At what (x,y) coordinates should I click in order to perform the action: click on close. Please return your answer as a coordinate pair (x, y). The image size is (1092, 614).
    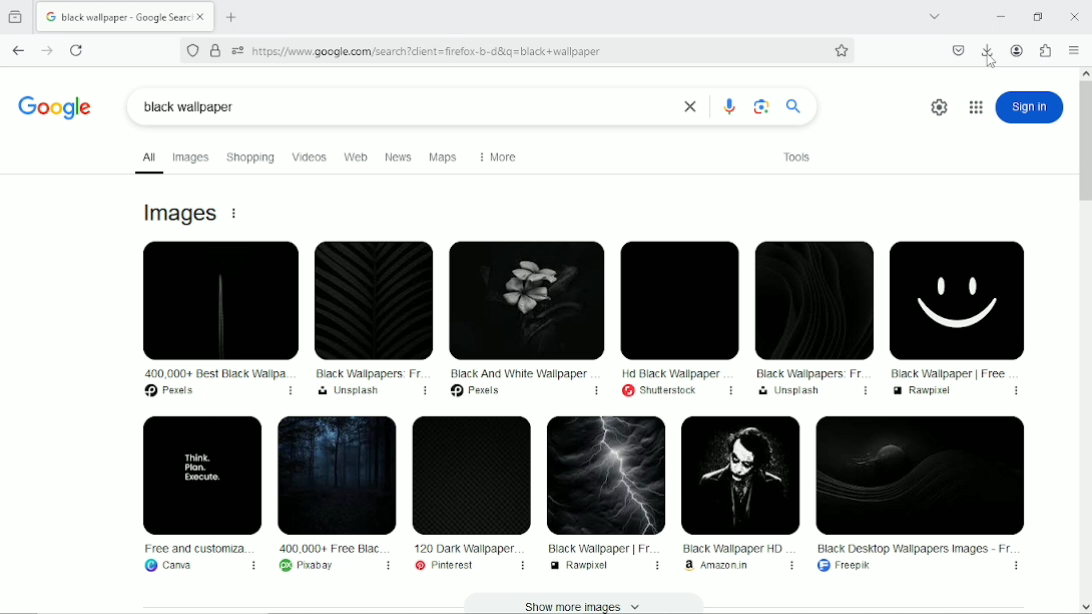
    Looking at the image, I should click on (688, 106).